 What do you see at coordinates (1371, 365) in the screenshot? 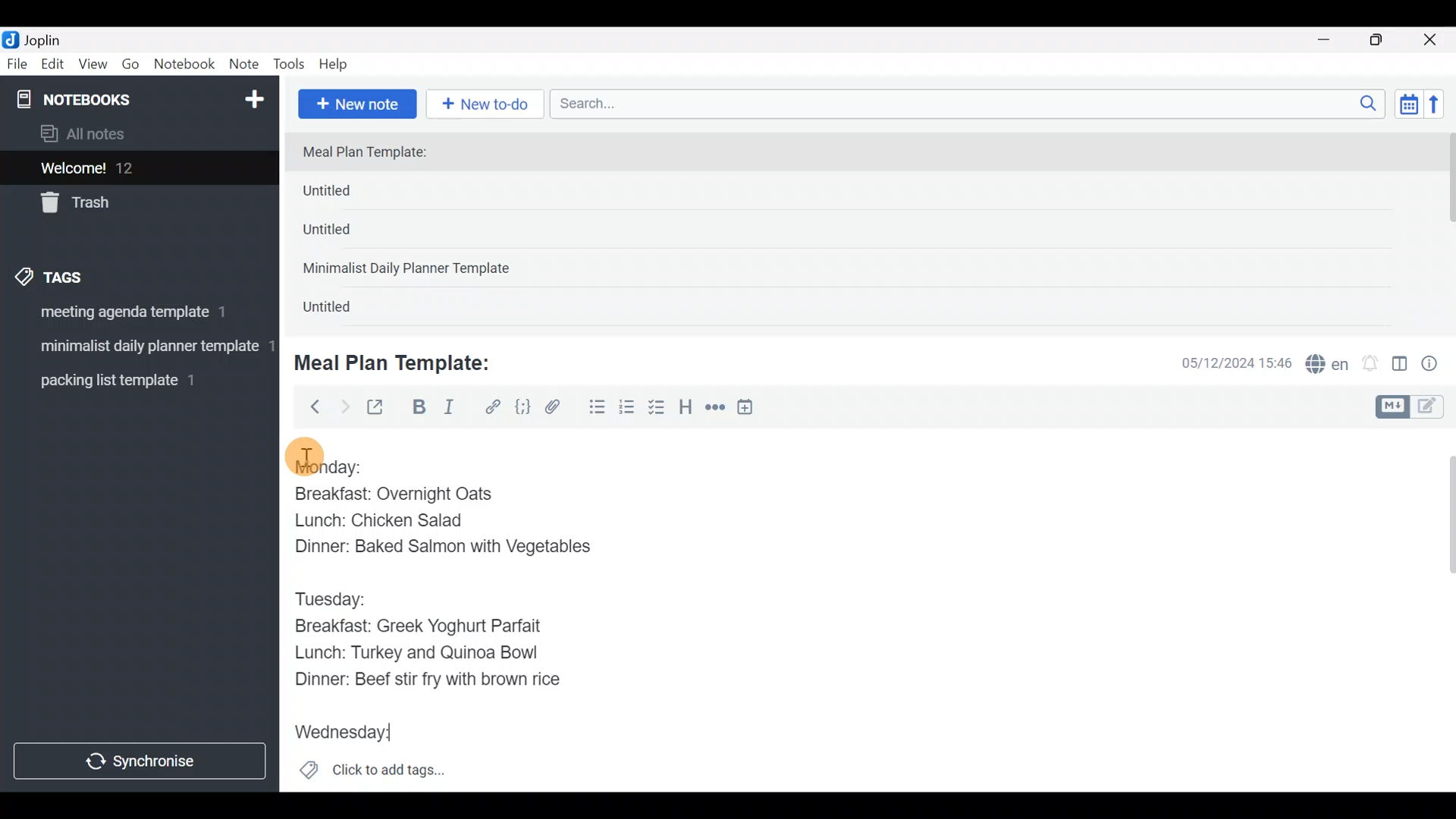
I see `Set alarm` at bounding box center [1371, 365].